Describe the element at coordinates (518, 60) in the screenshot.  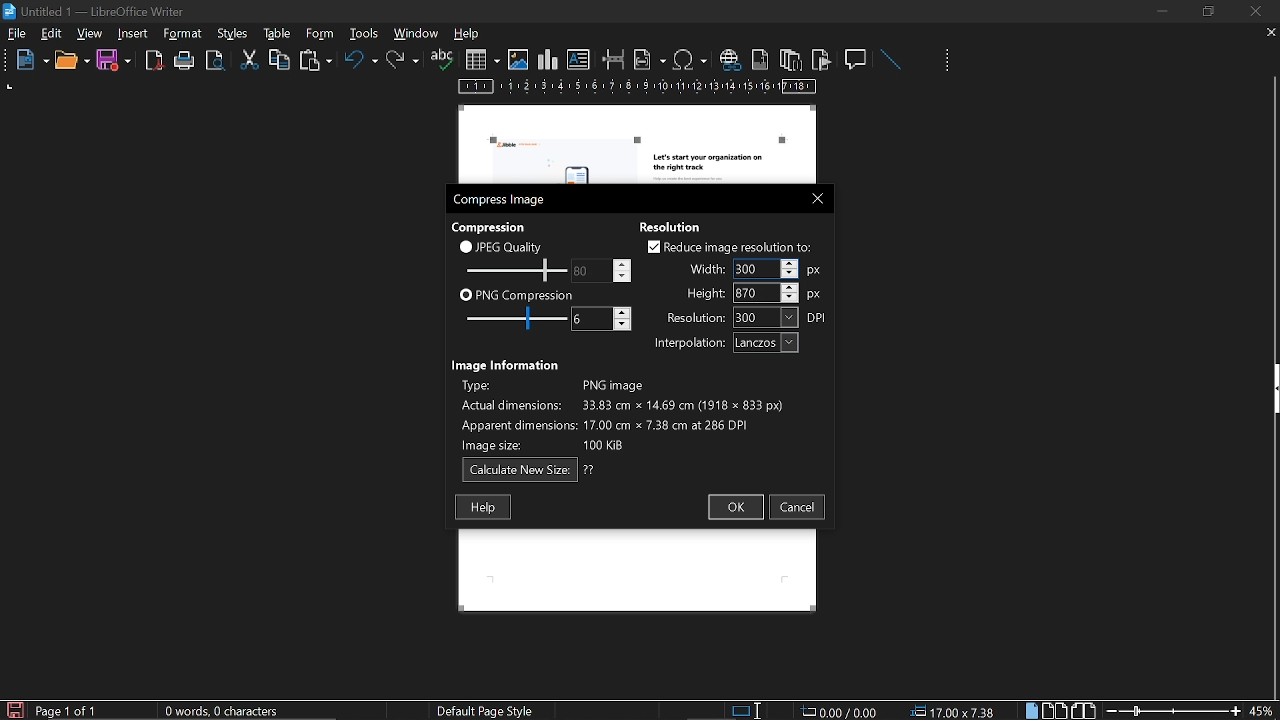
I see `insert image` at that location.